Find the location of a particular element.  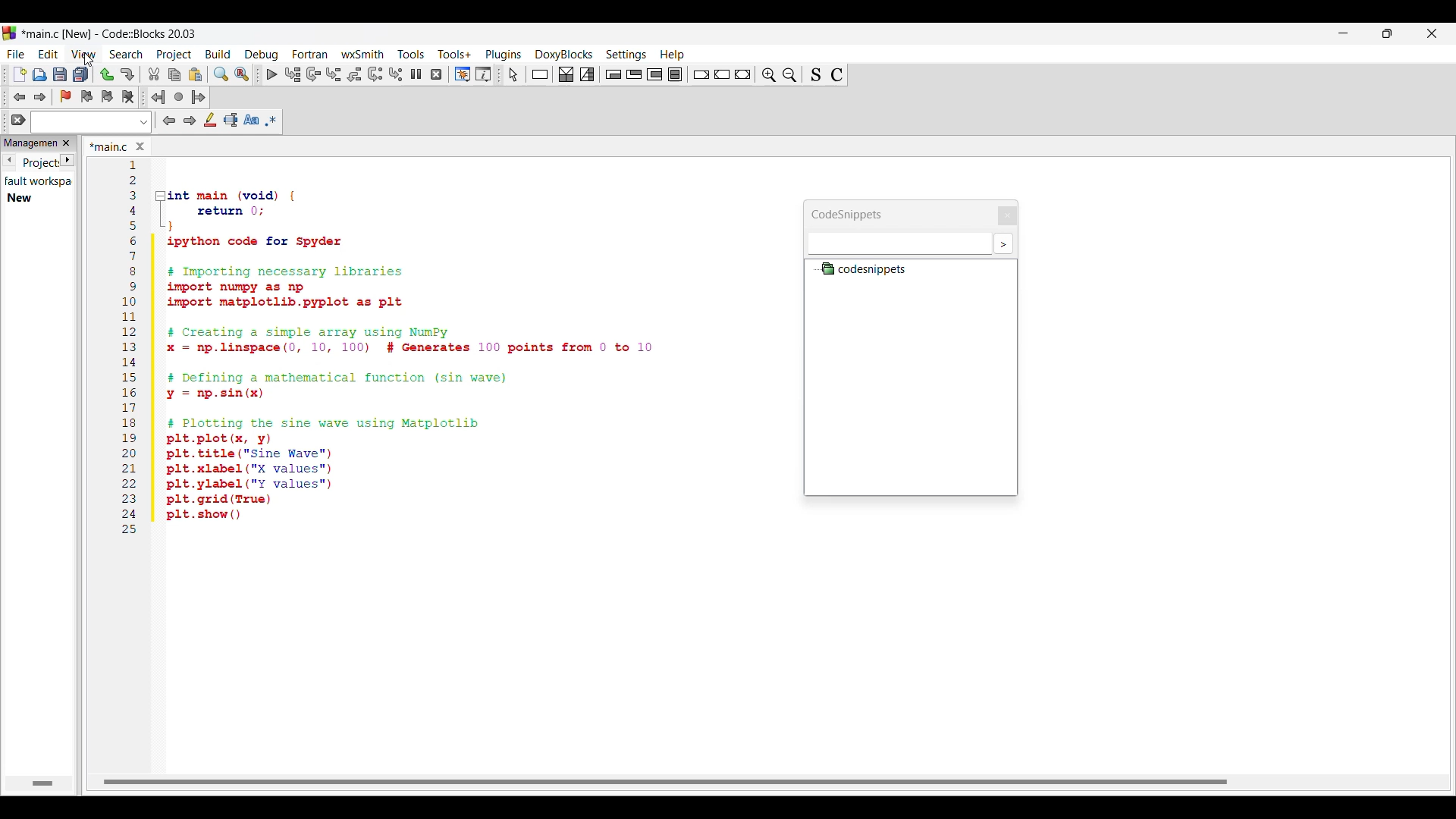

Decision is located at coordinates (566, 74).